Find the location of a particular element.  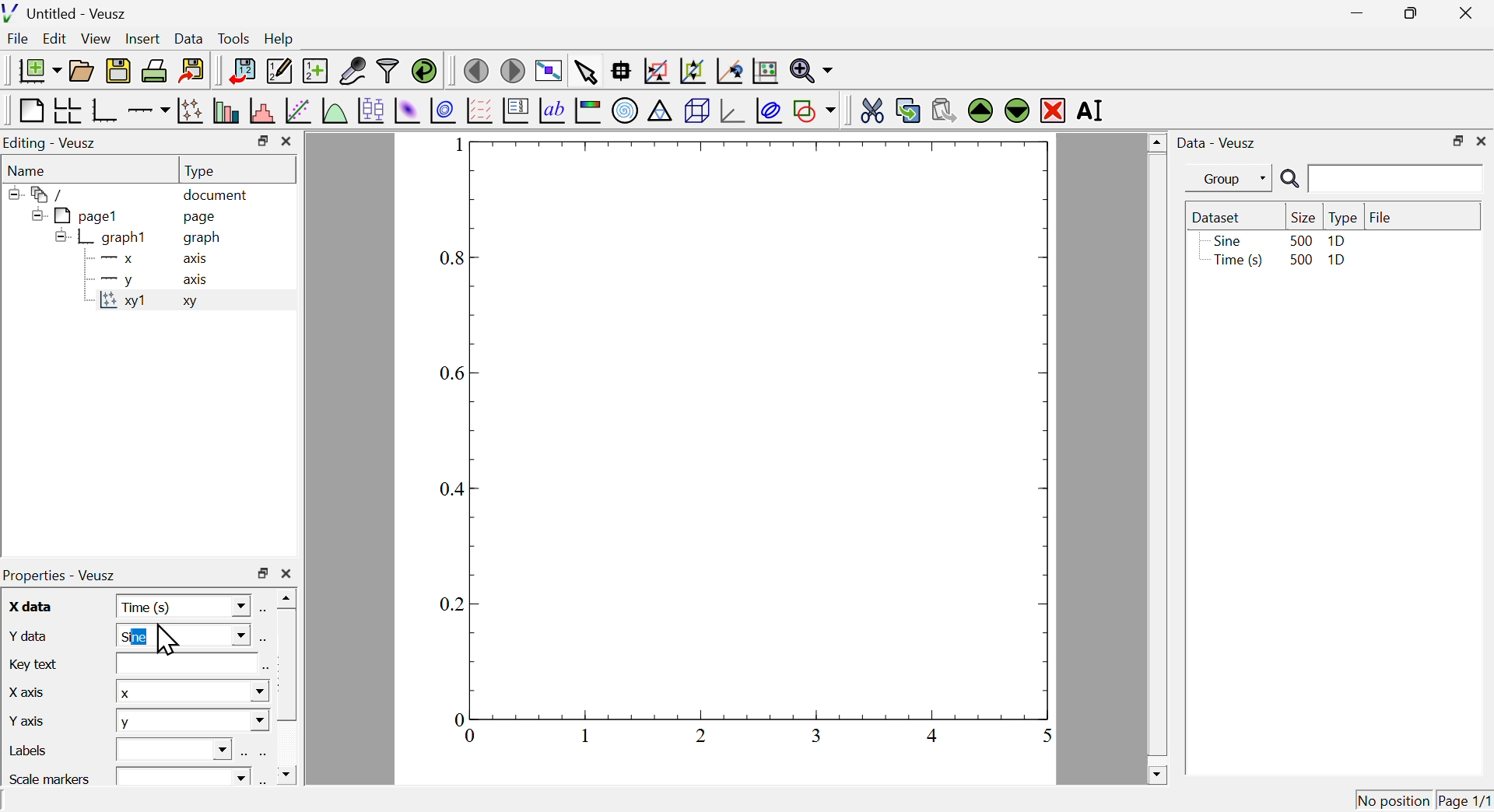

close is located at coordinates (288, 142).